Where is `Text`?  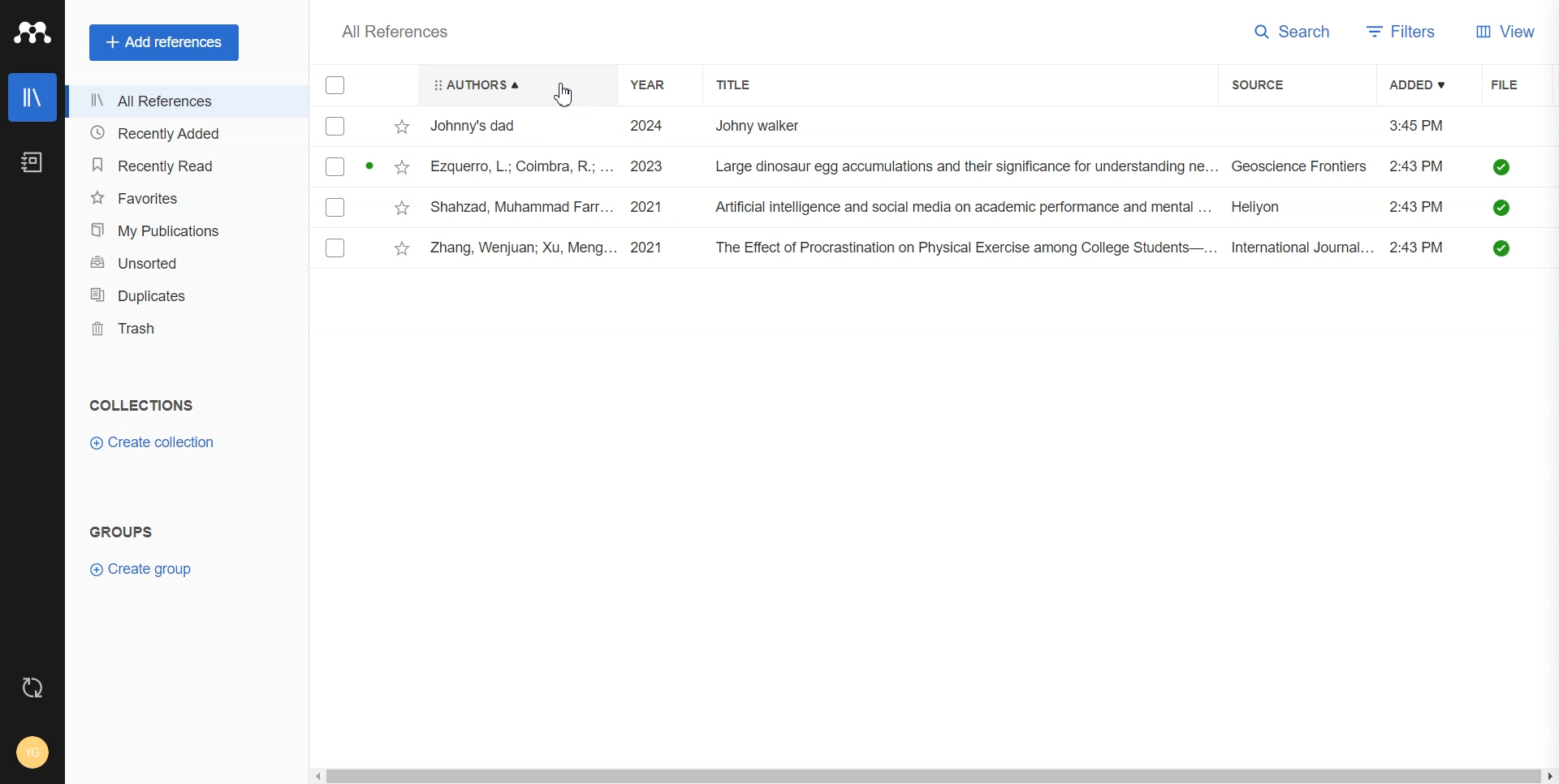
Text is located at coordinates (121, 532).